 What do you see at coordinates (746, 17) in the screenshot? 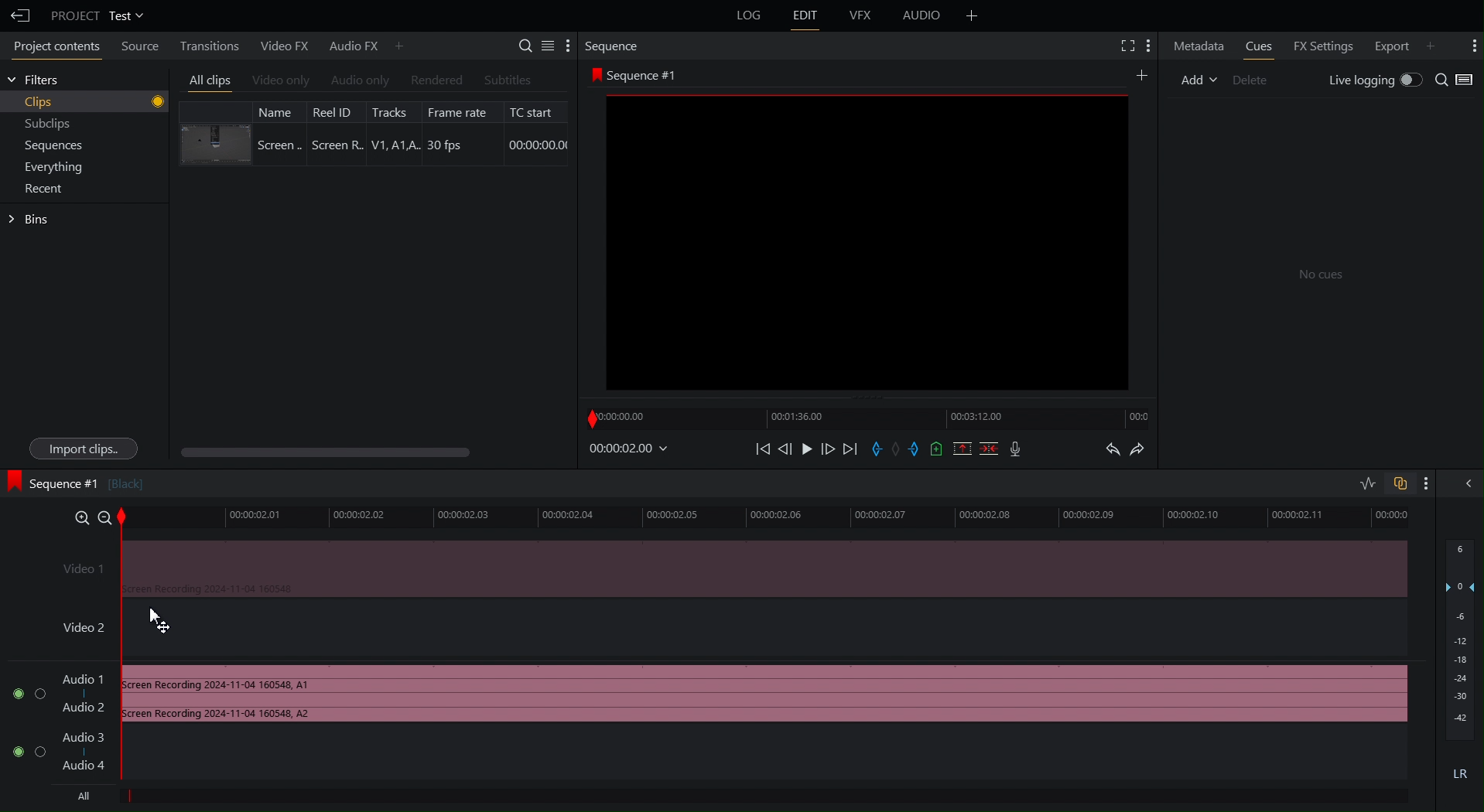
I see `Log` at bounding box center [746, 17].